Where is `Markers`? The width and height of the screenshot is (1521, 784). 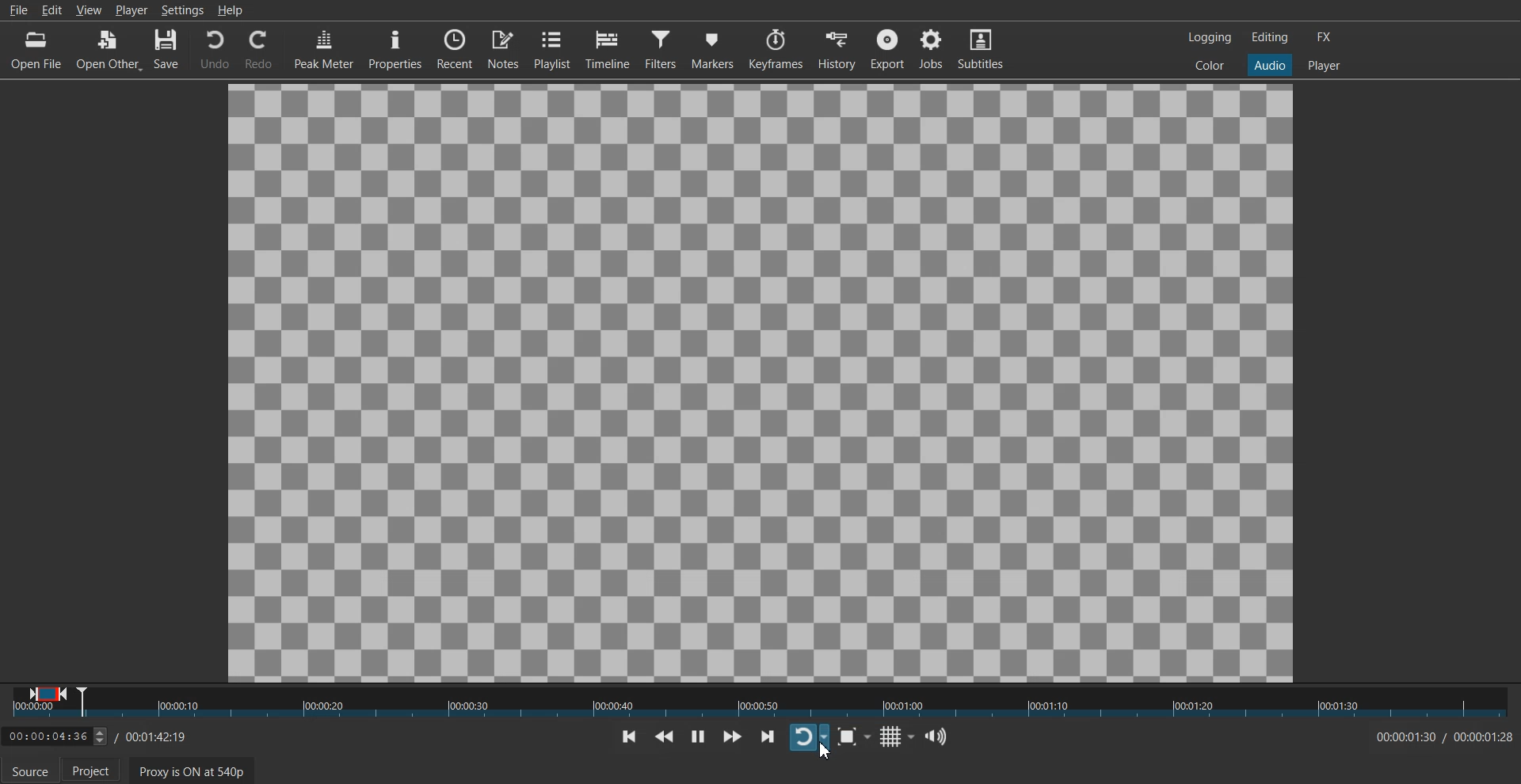
Markers is located at coordinates (712, 49).